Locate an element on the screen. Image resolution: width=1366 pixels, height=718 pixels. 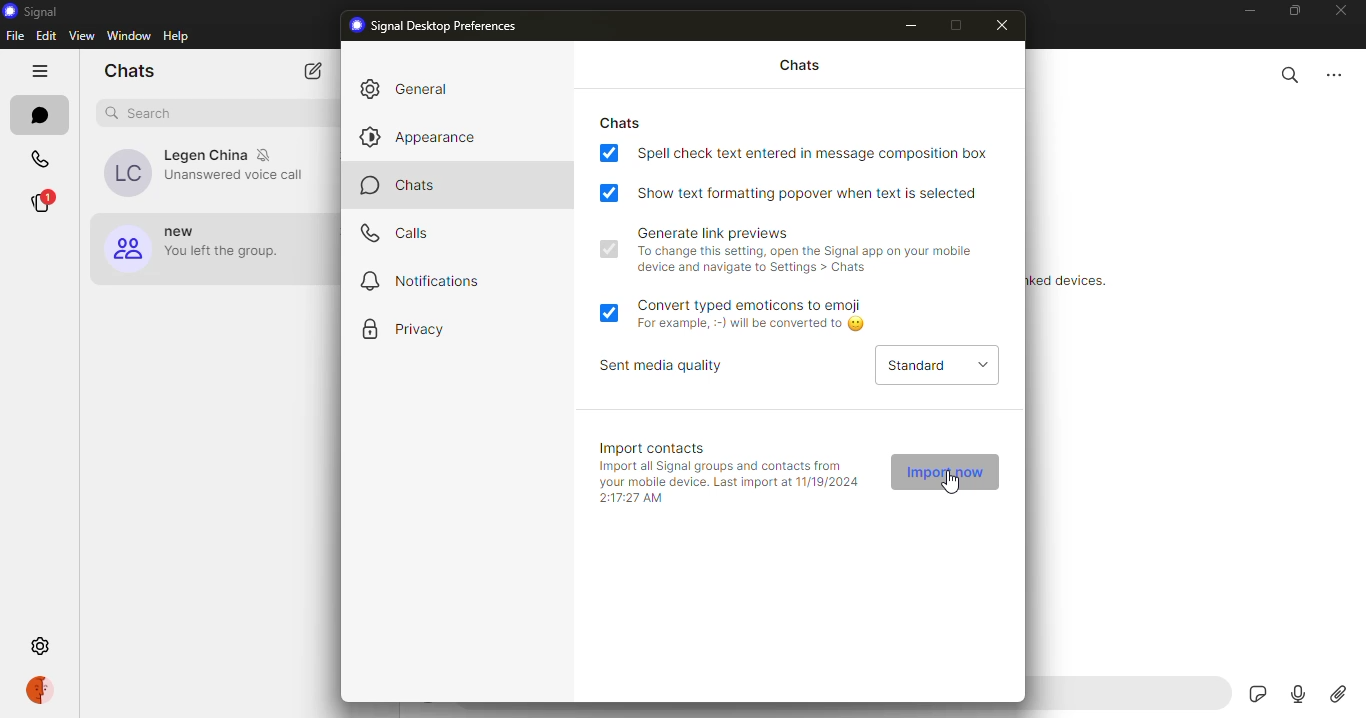
profile is located at coordinates (42, 688).